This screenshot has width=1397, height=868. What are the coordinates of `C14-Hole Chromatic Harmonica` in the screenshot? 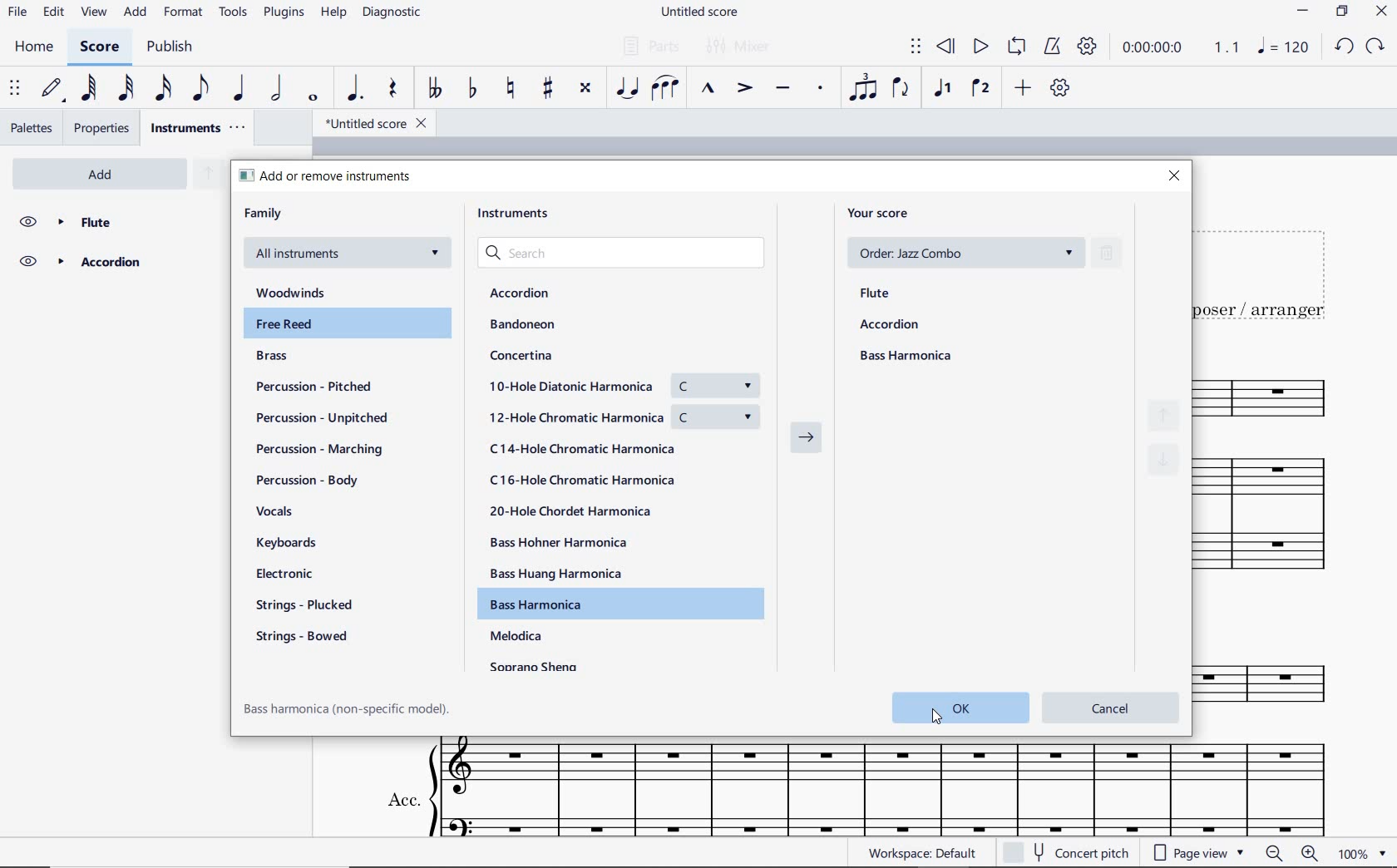 It's located at (583, 450).